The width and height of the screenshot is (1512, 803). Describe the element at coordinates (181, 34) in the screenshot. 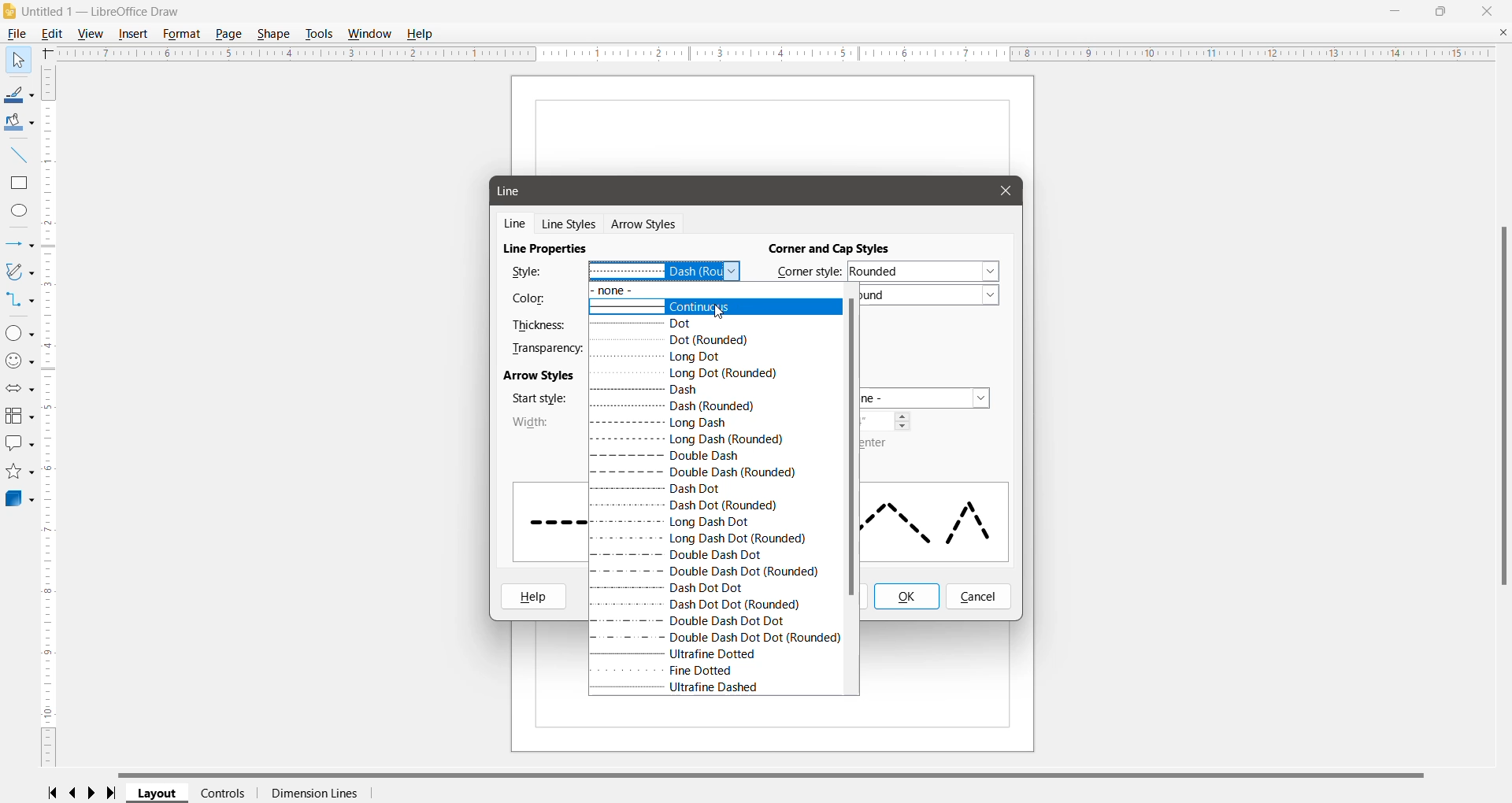

I see `Format` at that location.